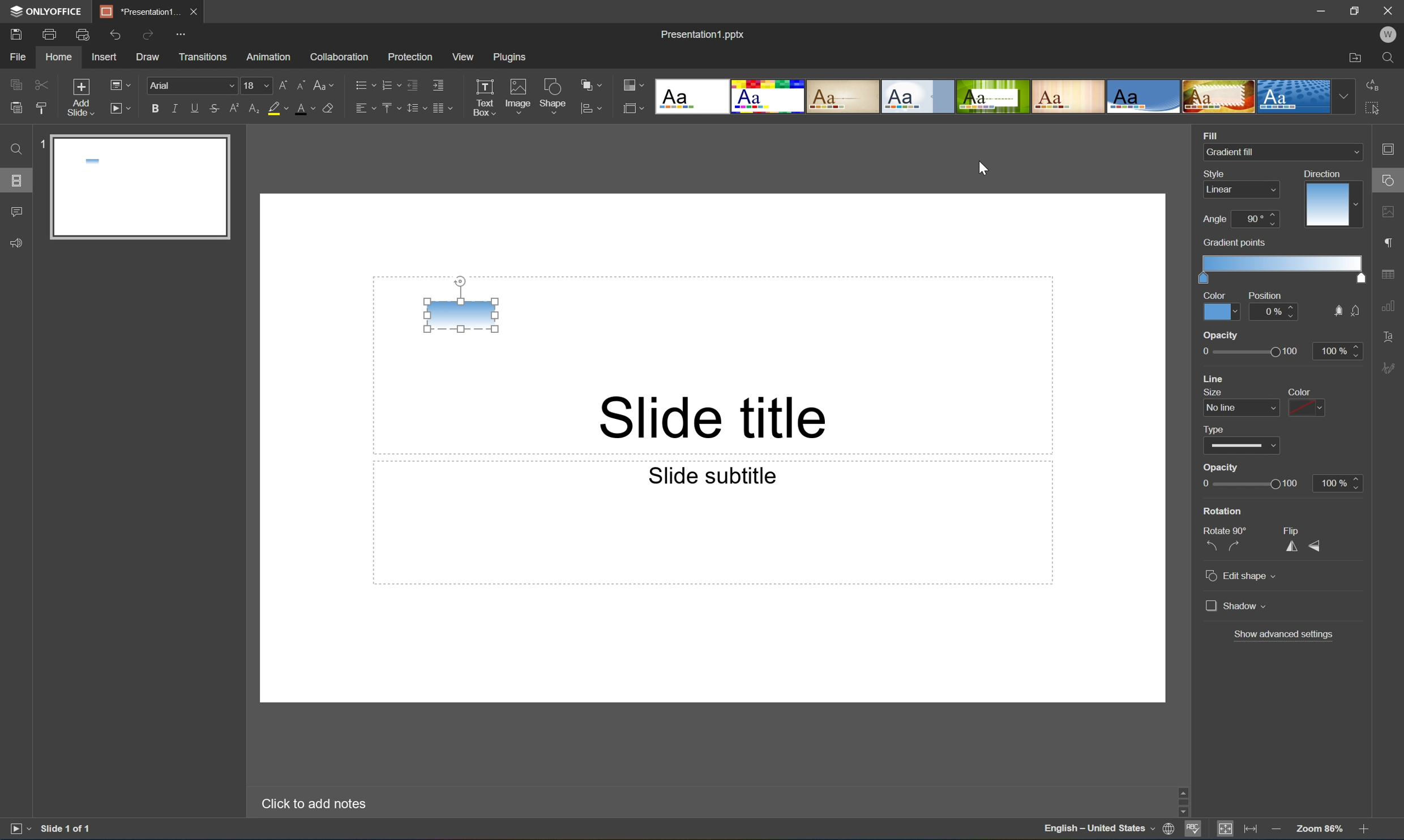 This screenshot has height=840, width=1404. What do you see at coordinates (1391, 241) in the screenshot?
I see `paragraph settings` at bounding box center [1391, 241].